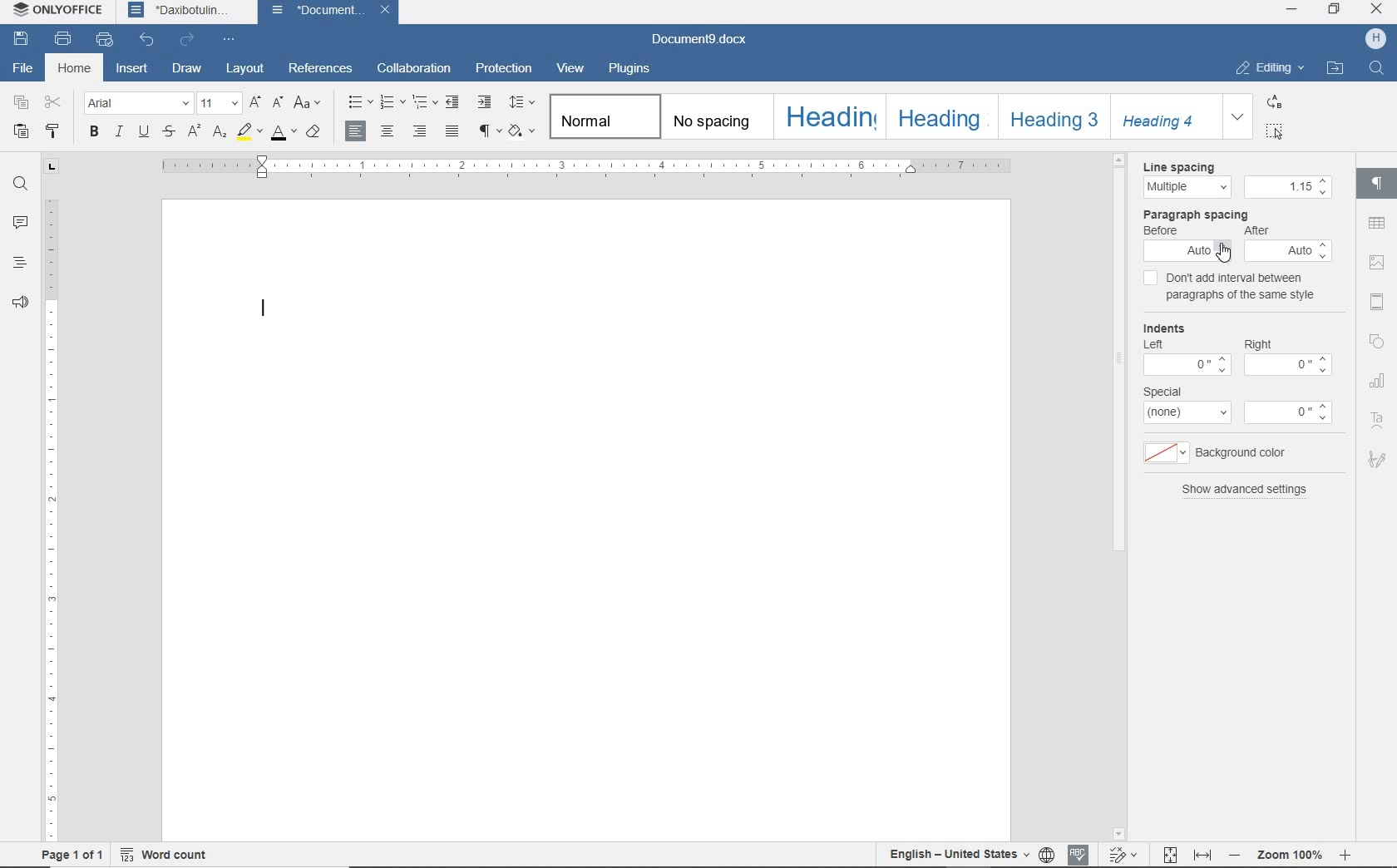 The width and height of the screenshot is (1397, 868). Describe the element at coordinates (20, 304) in the screenshot. I see `feedback & support` at that location.